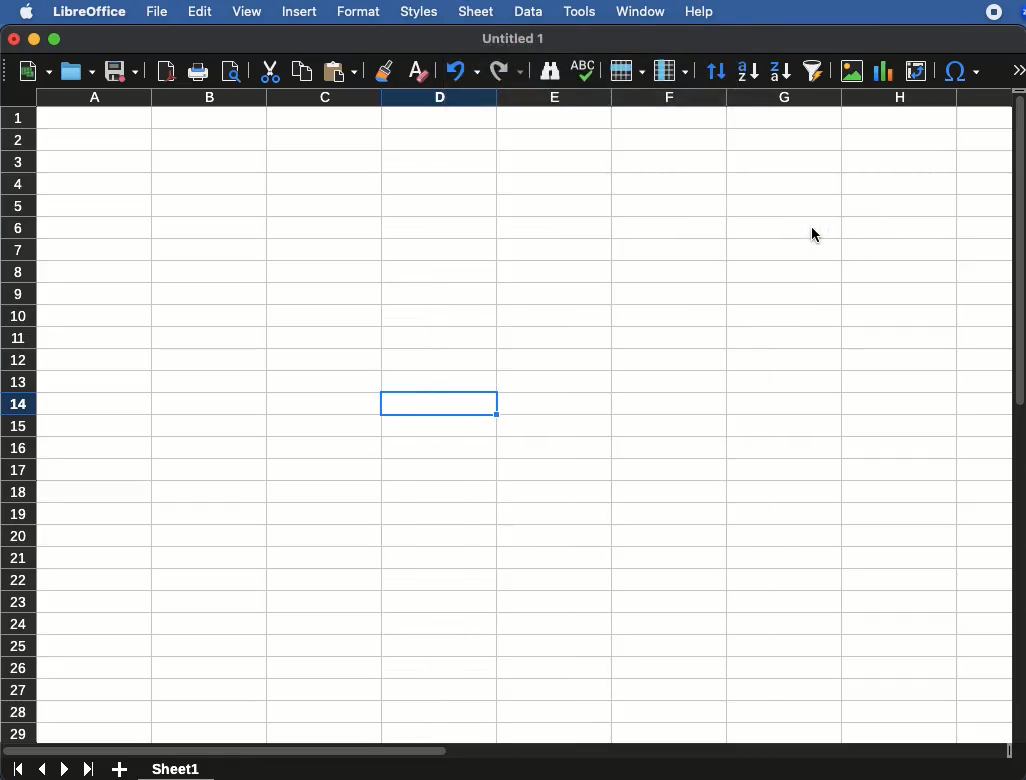 The height and width of the screenshot is (780, 1026). What do you see at coordinates (17, 770) in the screenshot?
I see `last sheet` at bounding box center [17, 770].